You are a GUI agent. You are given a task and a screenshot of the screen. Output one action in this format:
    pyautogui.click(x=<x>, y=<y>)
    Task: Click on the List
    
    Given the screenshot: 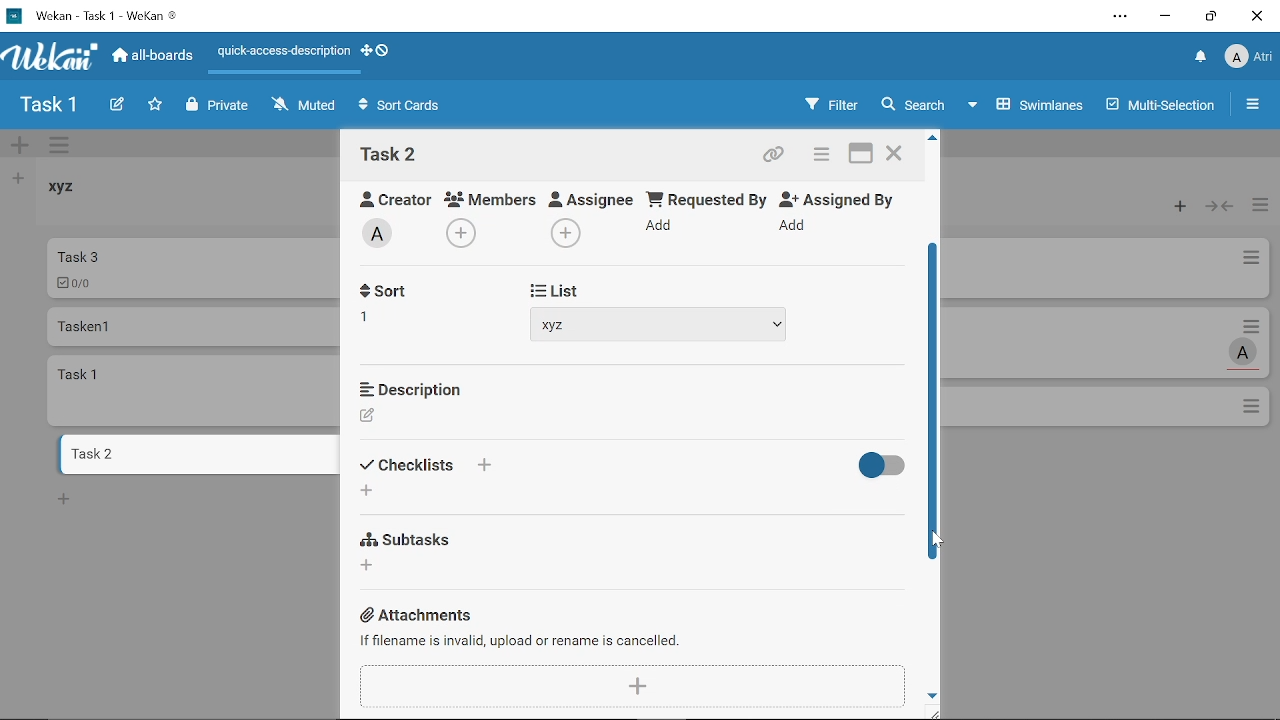 What is the action you would take?
    pyautogui.click(x=557, y=468)
    